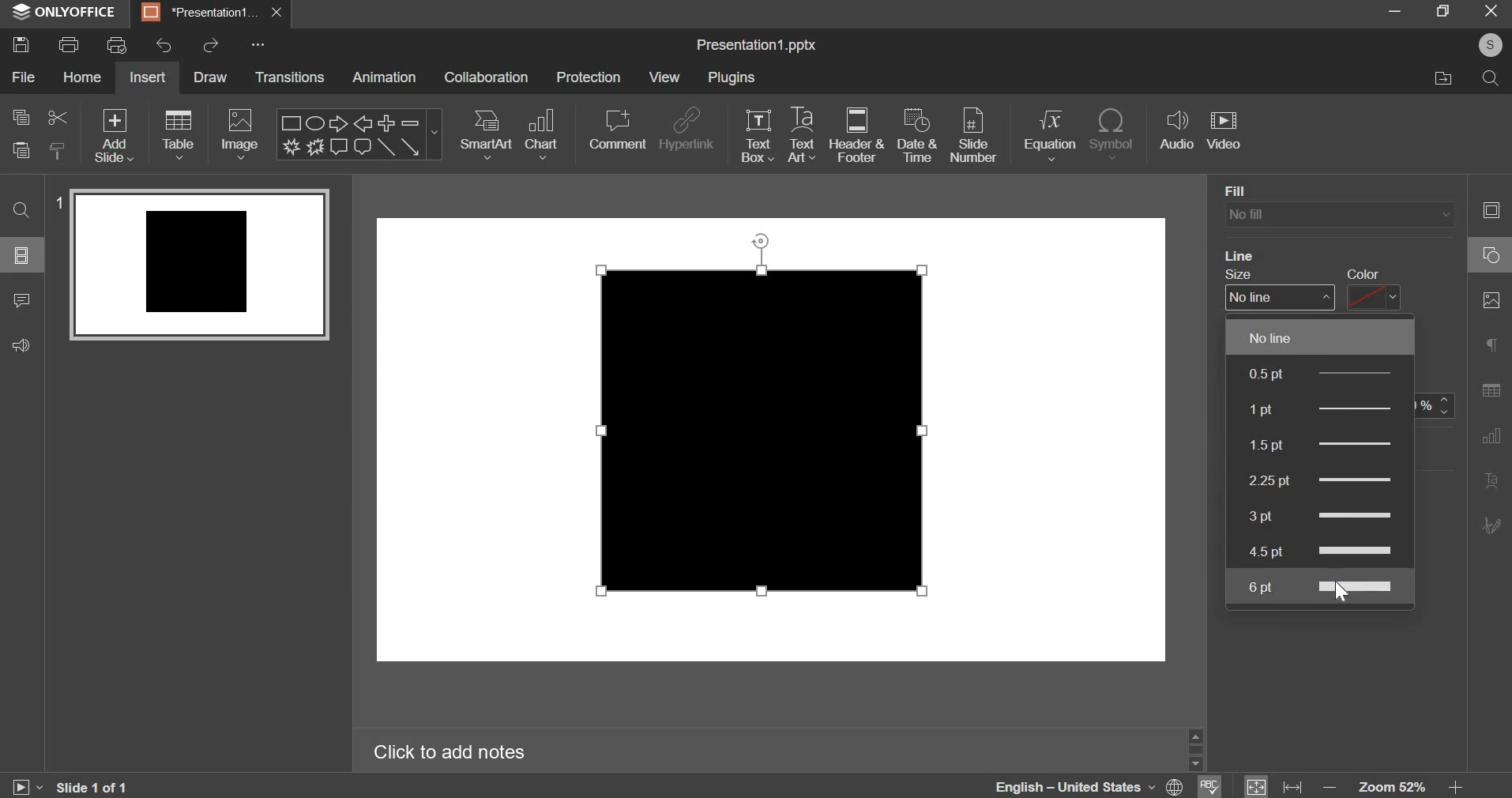 The height and width of the screenshot is (798, 1512). Describe the element at coordinates (199, 272) in the screenshot. I see `Preview shape area` at that location.